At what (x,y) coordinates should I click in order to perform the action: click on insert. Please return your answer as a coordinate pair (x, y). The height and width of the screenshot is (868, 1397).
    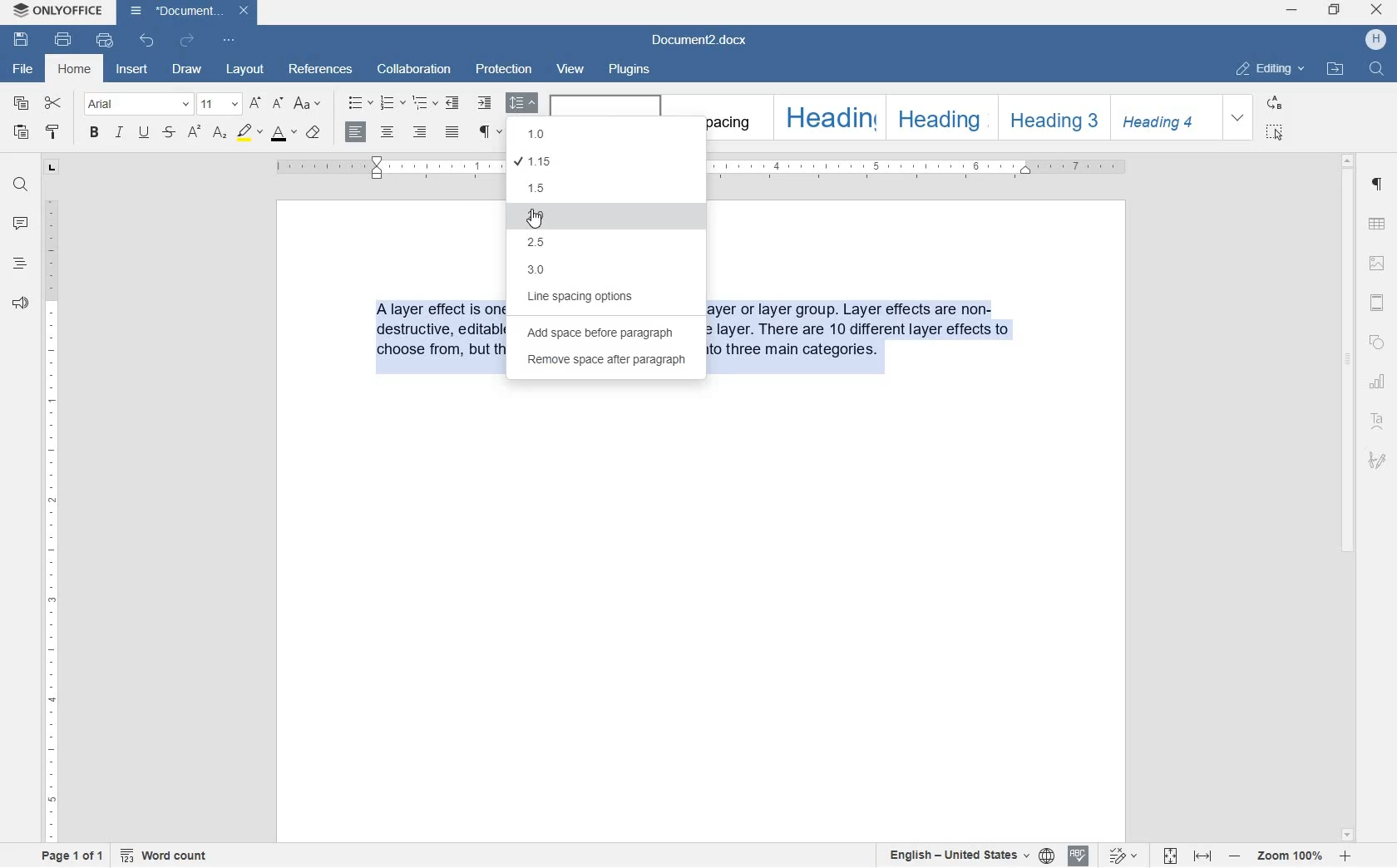
    Looking at the image, I should click on (133, 69).